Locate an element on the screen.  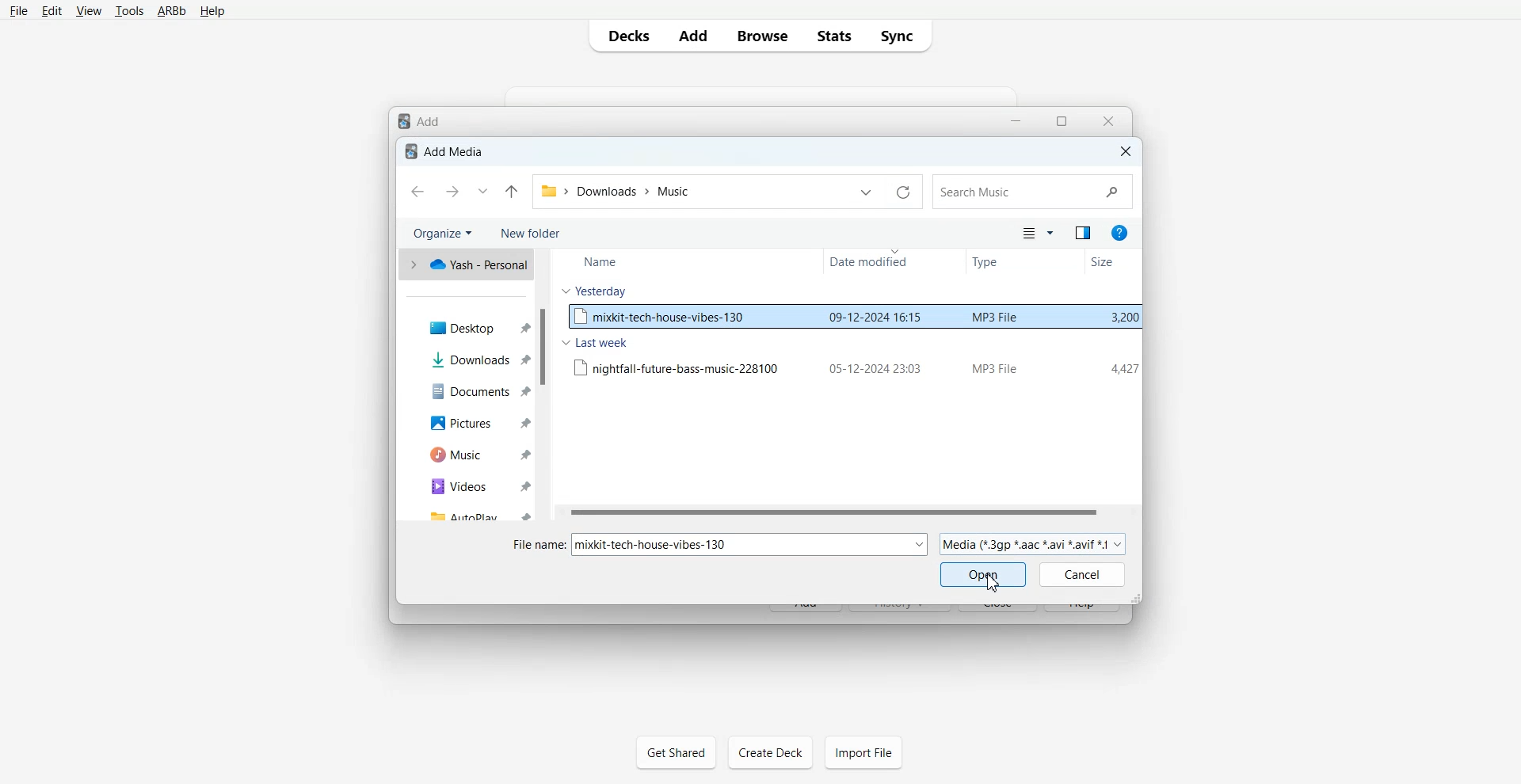
Close is located at coordinates (1107, 121).